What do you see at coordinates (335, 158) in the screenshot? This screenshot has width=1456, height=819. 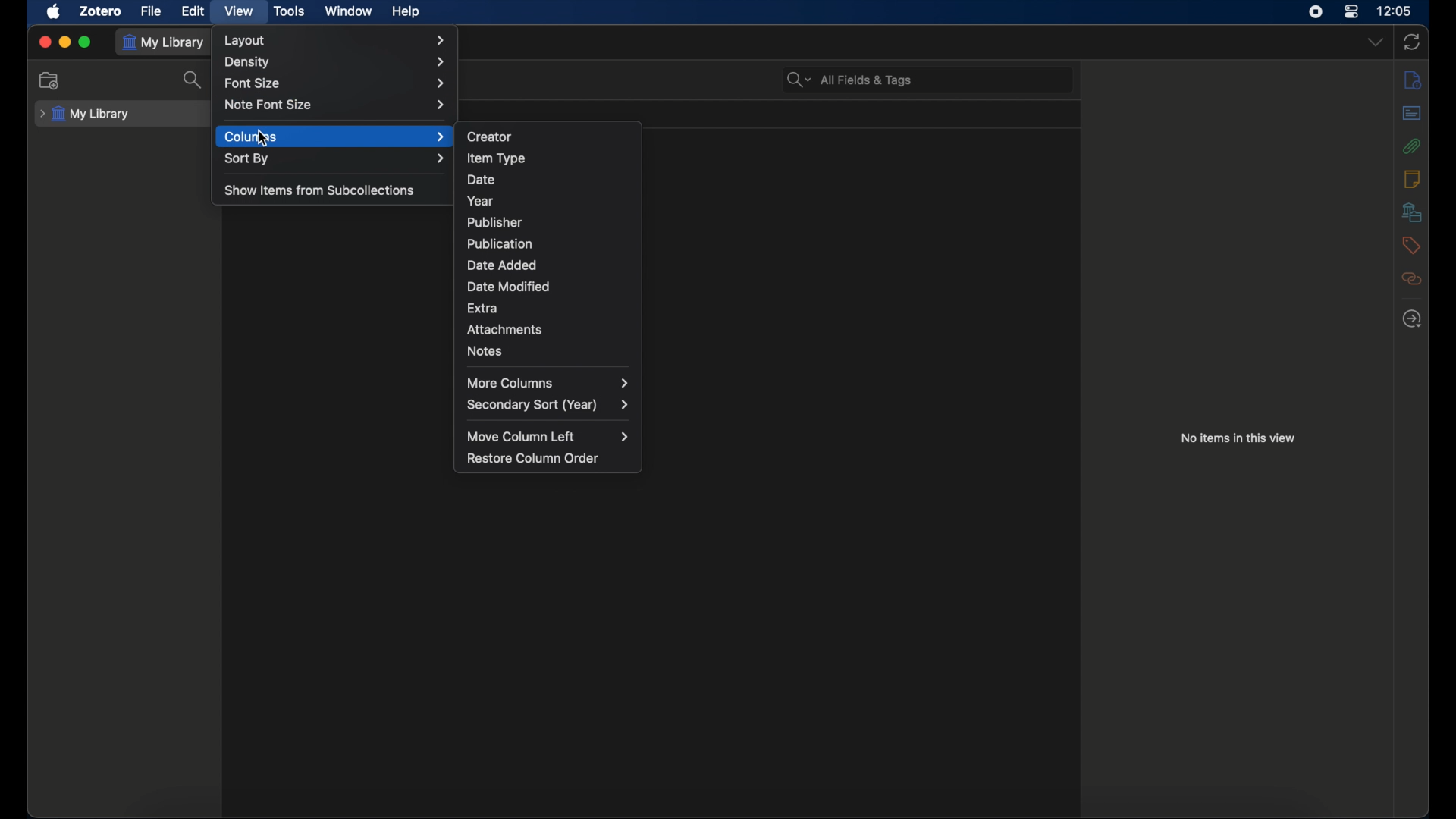 I see `sort by` at bounding box center [335, 158].